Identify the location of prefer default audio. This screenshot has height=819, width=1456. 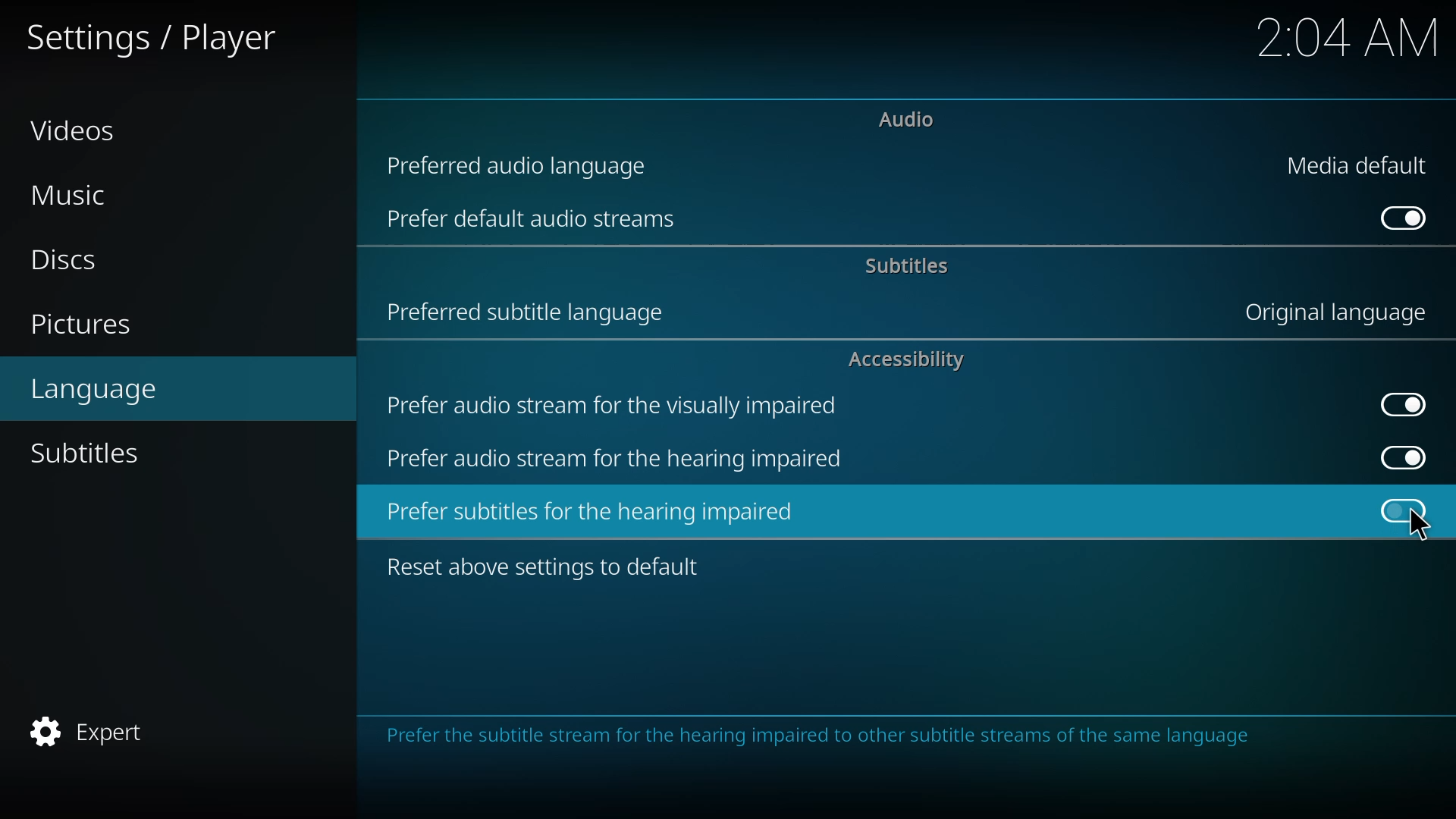
(535, 221).